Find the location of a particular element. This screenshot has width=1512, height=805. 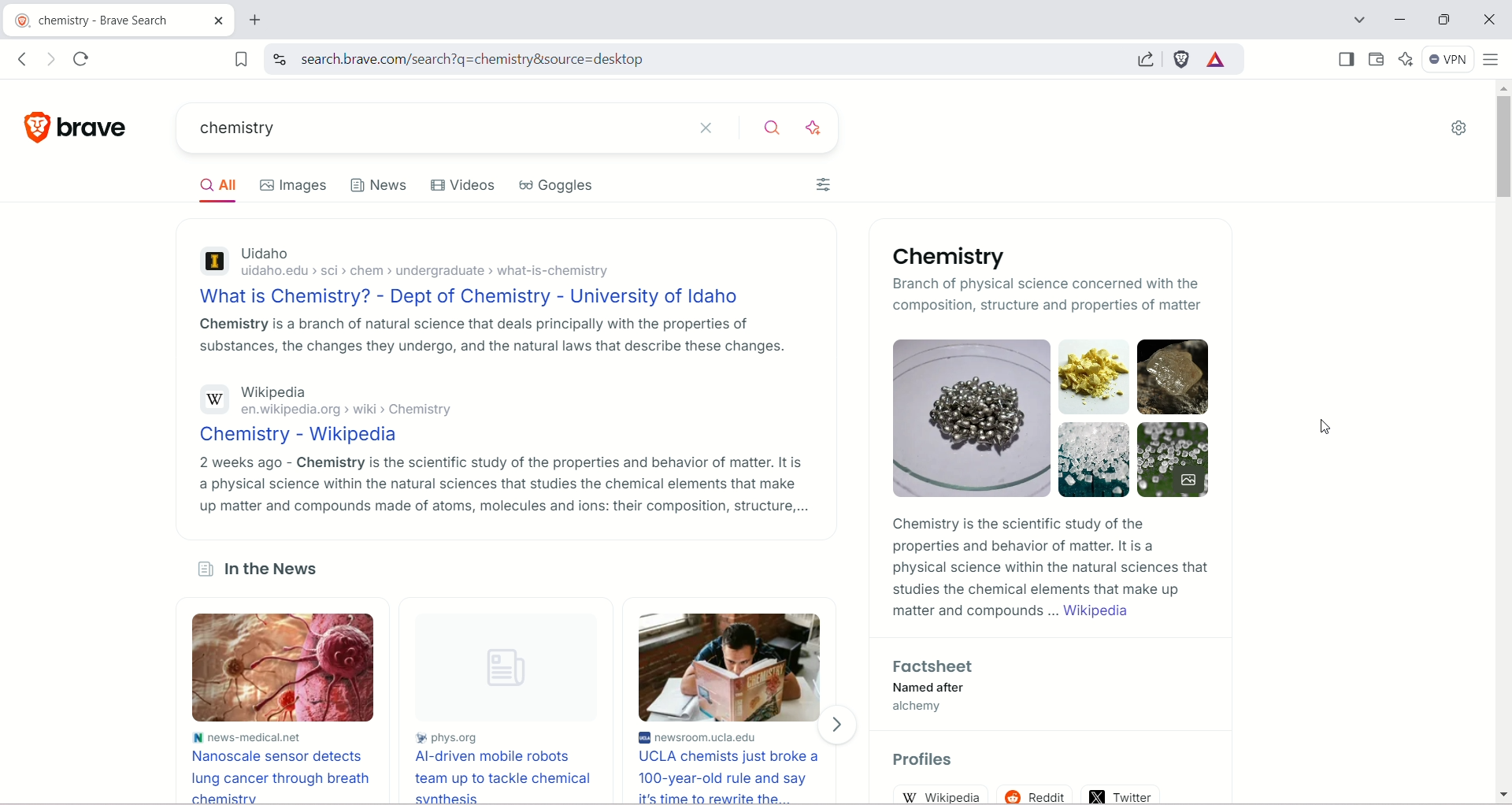

Mobile robots link is located at coordinates (499, 776).